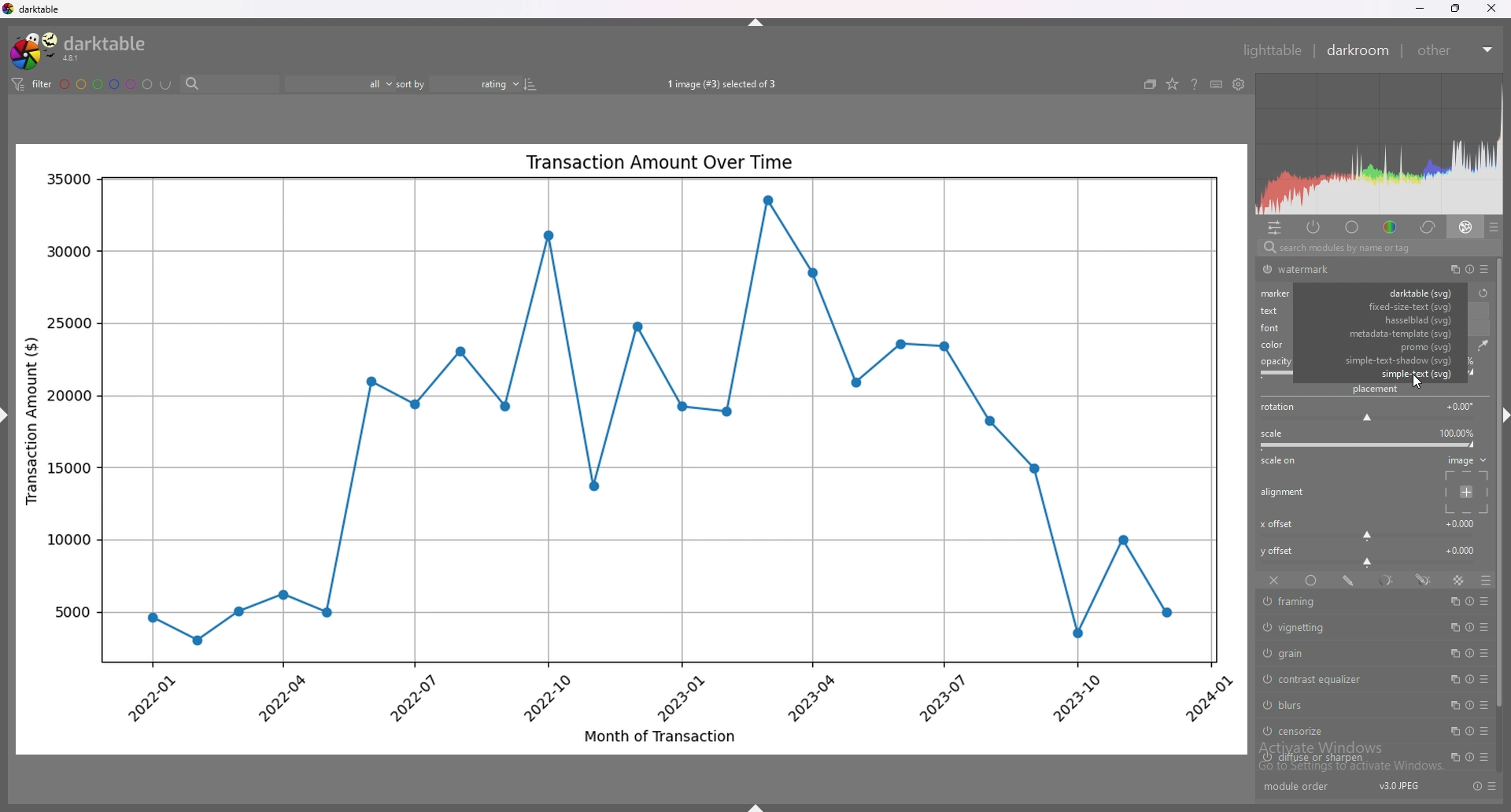 The height and width of the screenshot is (812, 1511). Describe the element at coordinates (1450, 758) in the screenshot. I see `multiple instances action` at that location.